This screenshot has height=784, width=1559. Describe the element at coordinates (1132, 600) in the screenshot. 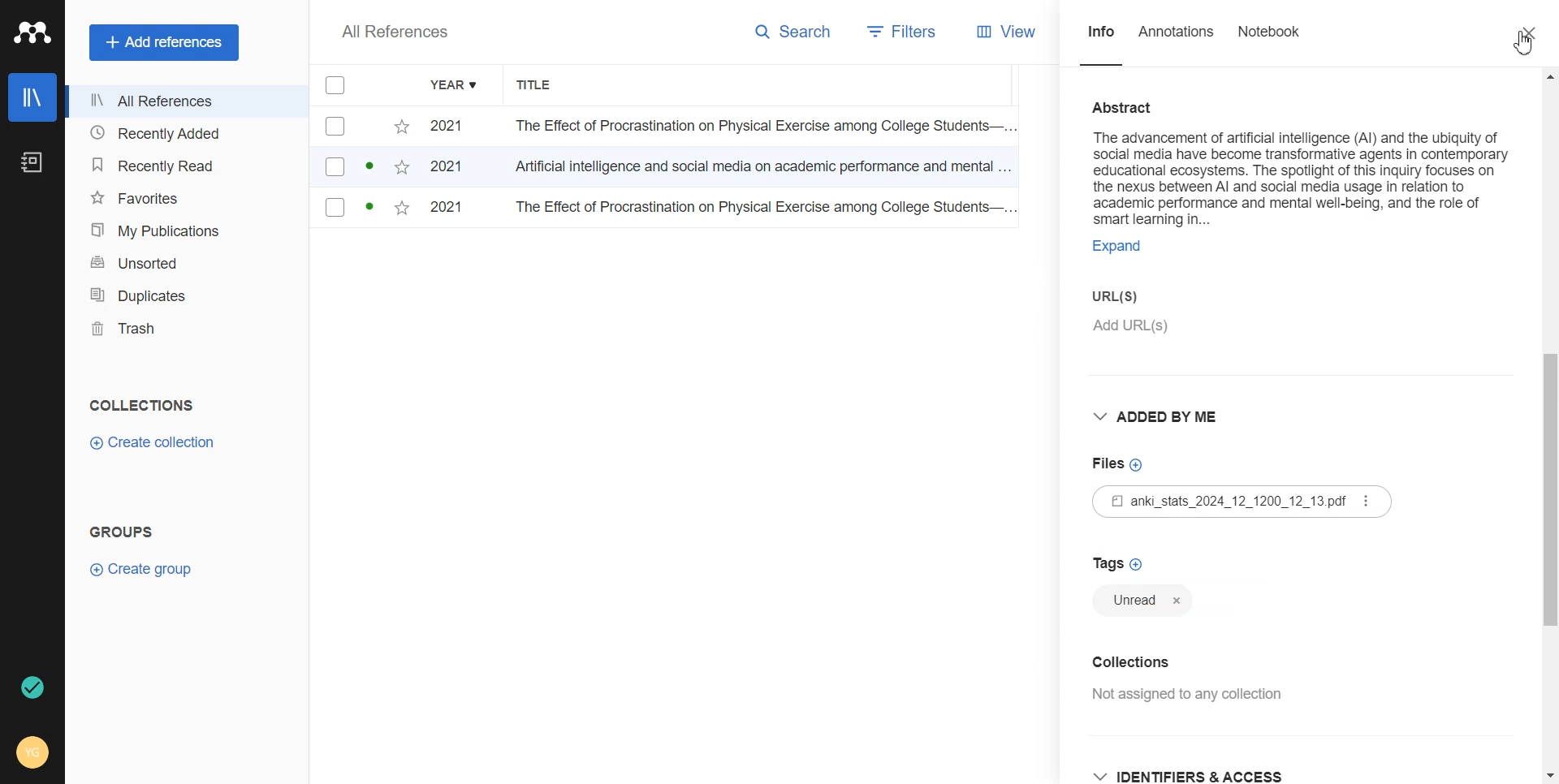

I see `Unread` at that location.